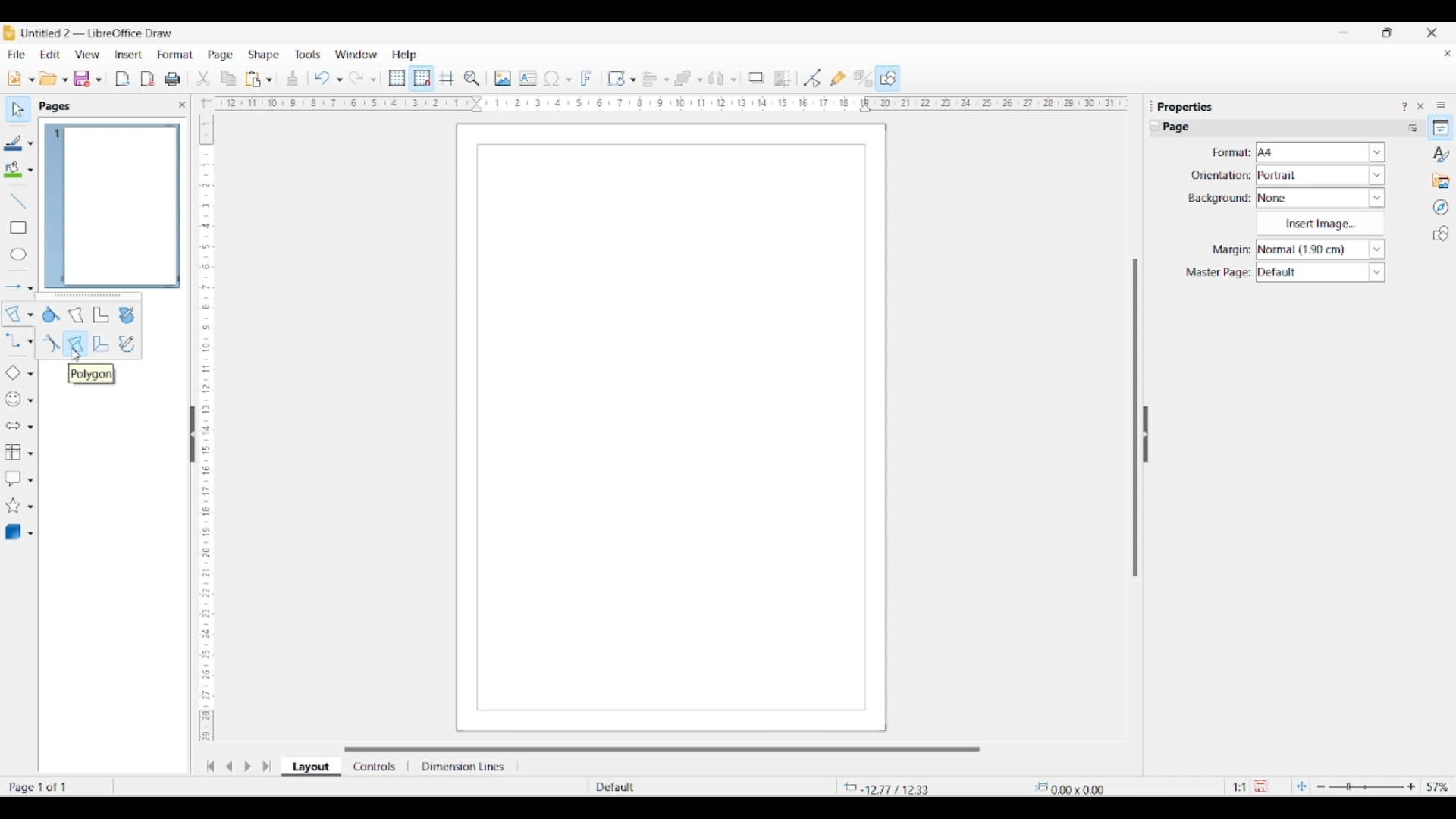  What do you see at coordinates (102, 315) in the screenshot?
I see `Polygon(45 degree), filled` at bounding box center [102, 315].